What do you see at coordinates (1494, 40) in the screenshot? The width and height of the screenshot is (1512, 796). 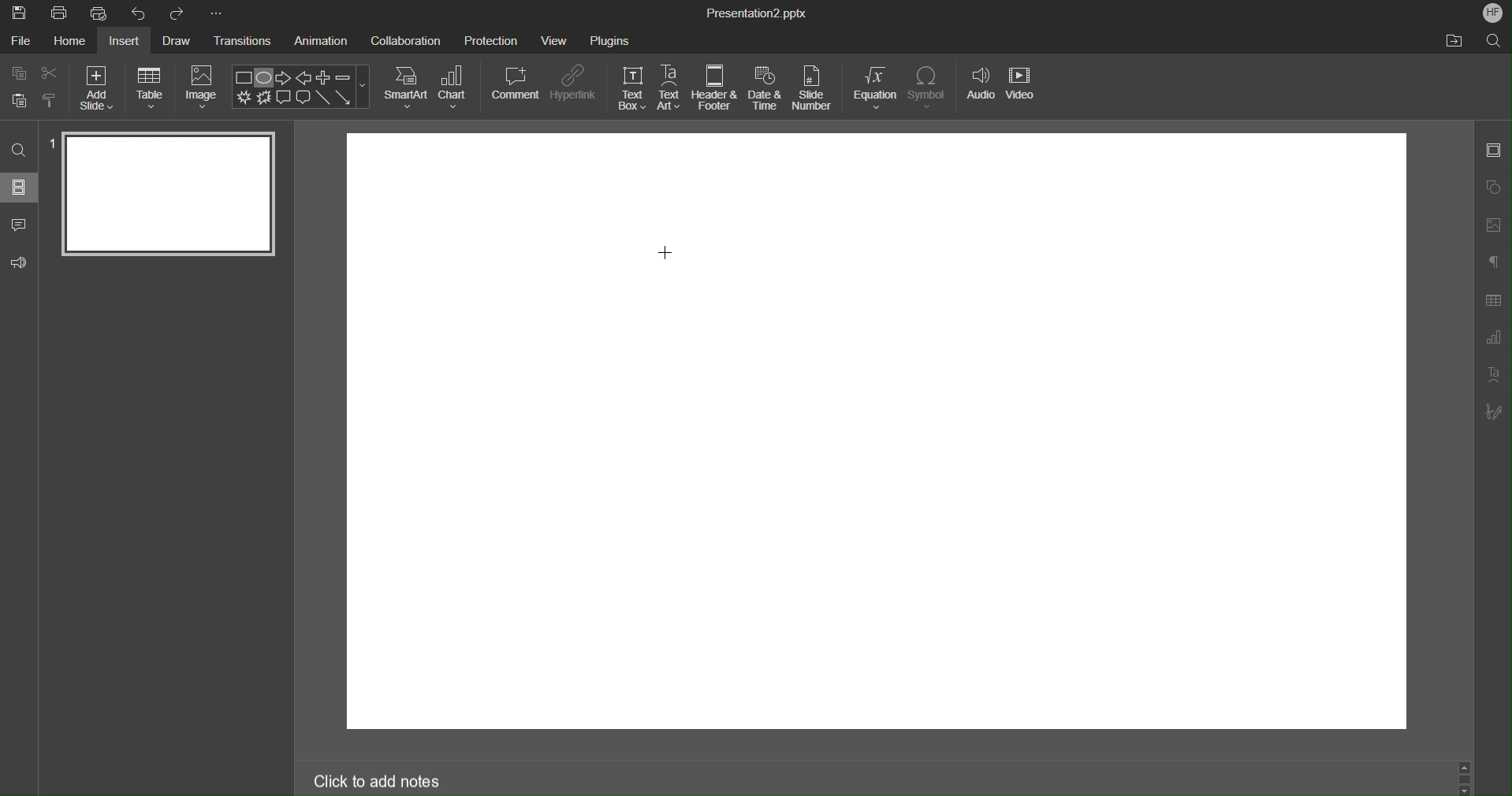 I see `Search` at bounding box center [1494, 40].